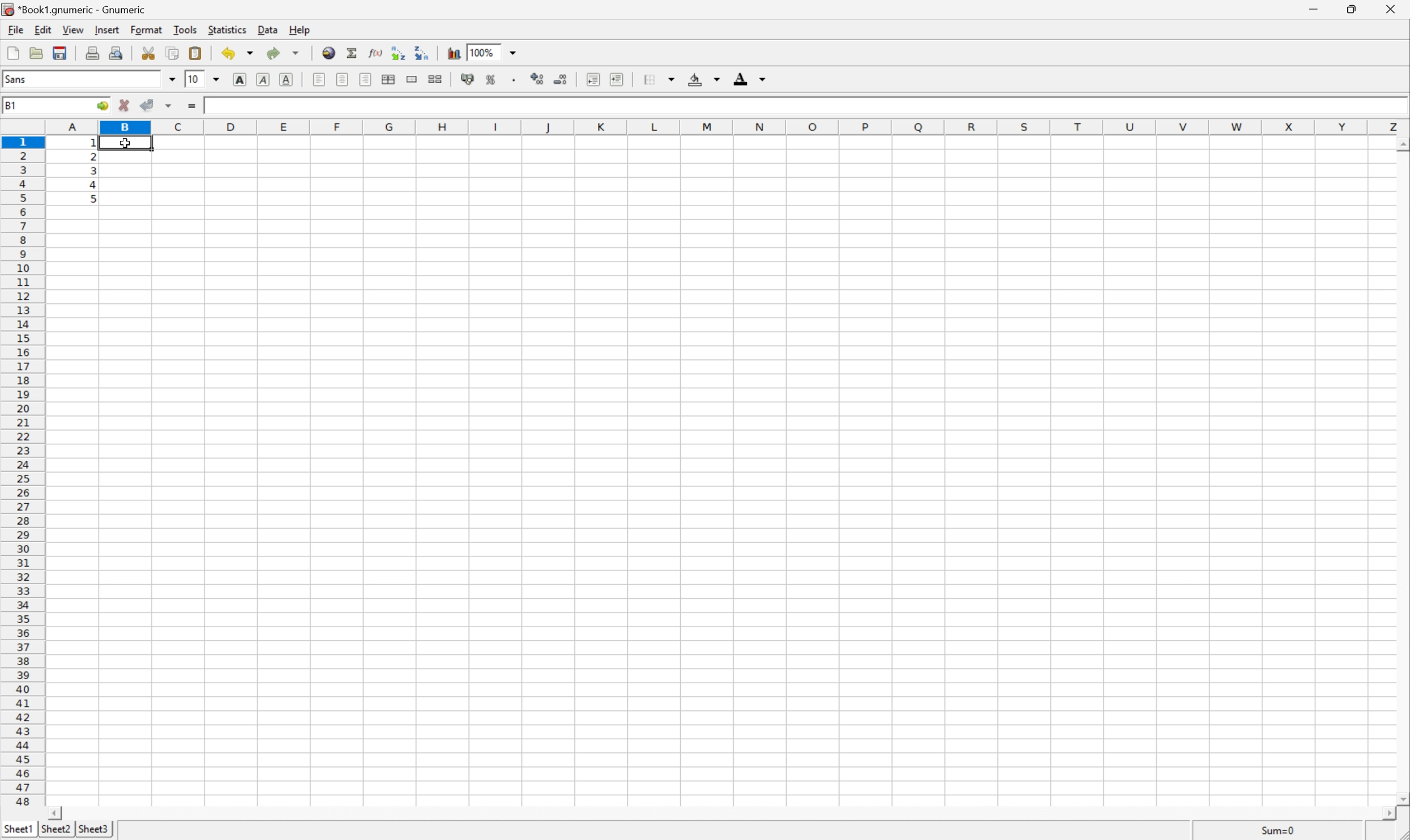 The width and height of the screenshot is (1410, 840). What do you see at coordinates (421, 52) in the screenshot?
I see `Sort the selected region in descending order based on the first column selected` at bounding box center [421, 52].